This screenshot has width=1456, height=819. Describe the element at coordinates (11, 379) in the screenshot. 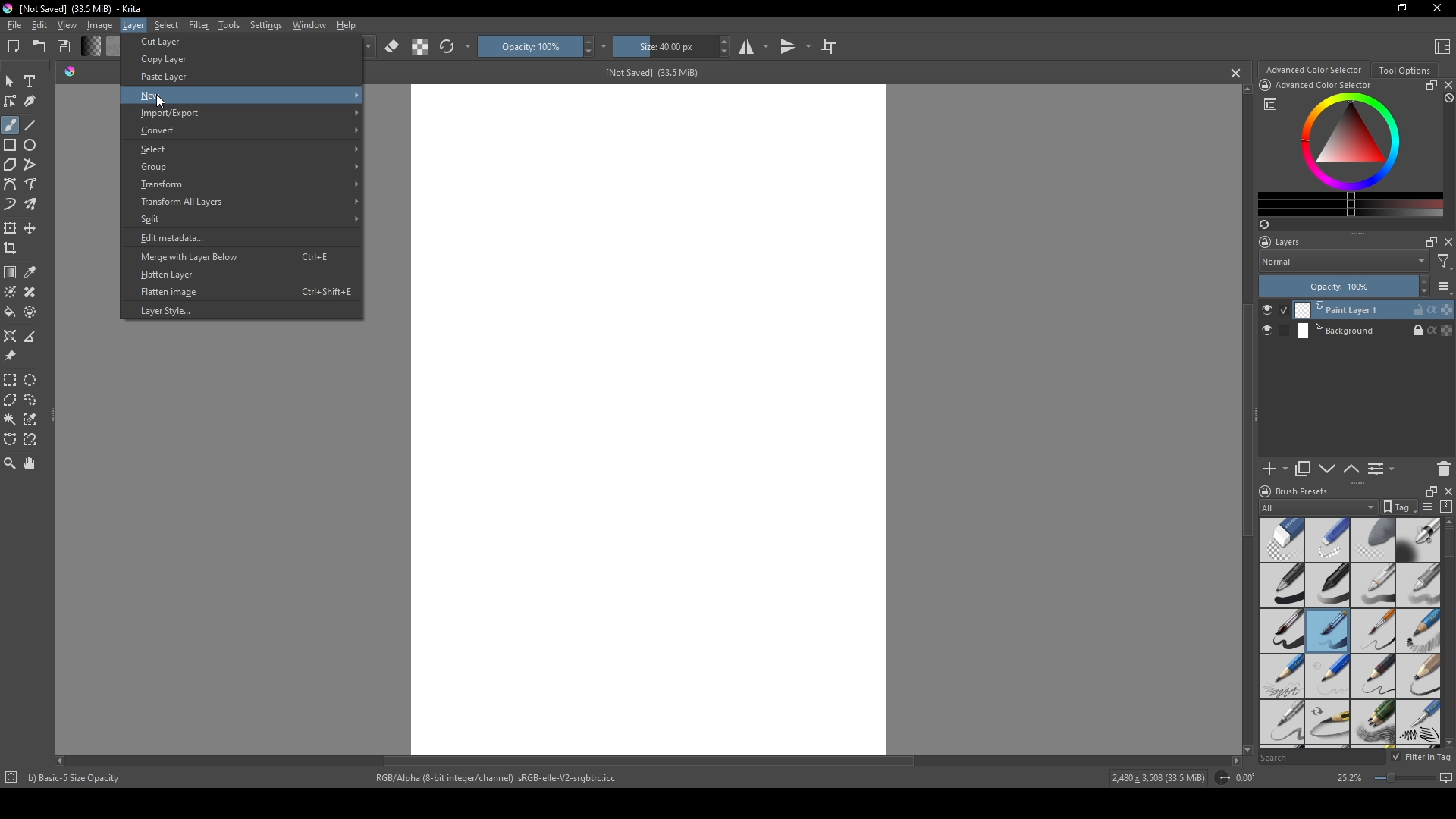

I see `rectangular` at that location.